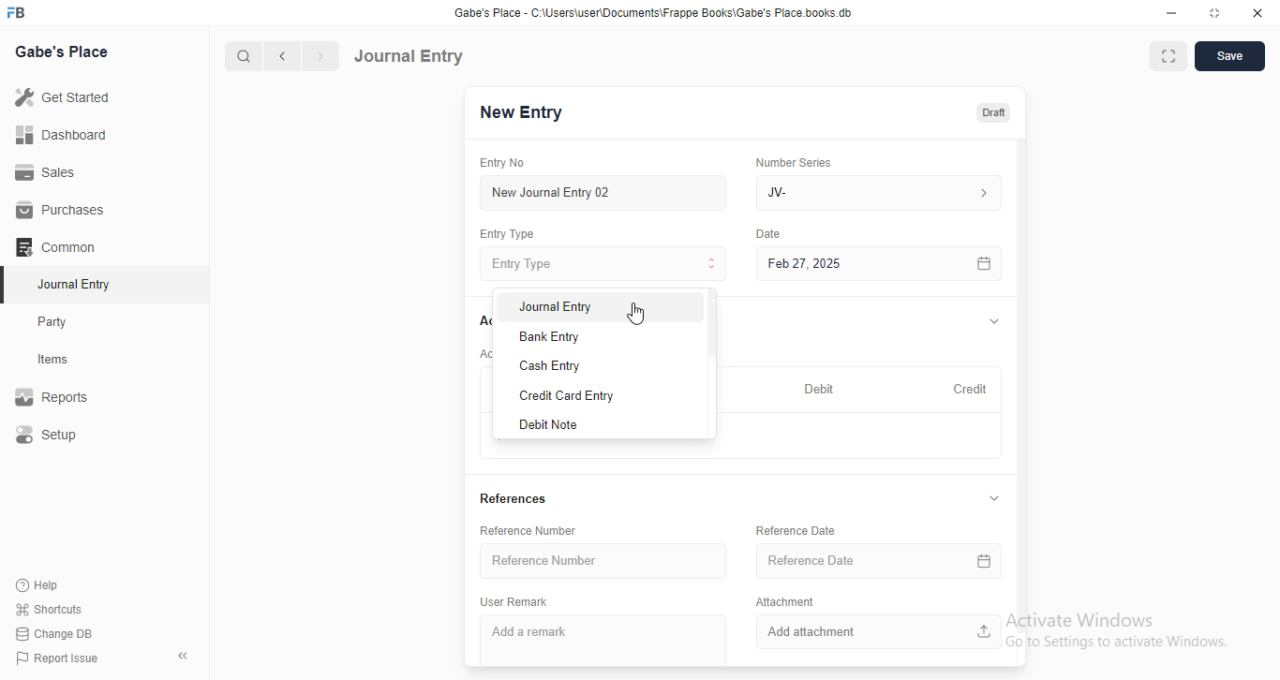  I want to click on Party, so click(54, 322).